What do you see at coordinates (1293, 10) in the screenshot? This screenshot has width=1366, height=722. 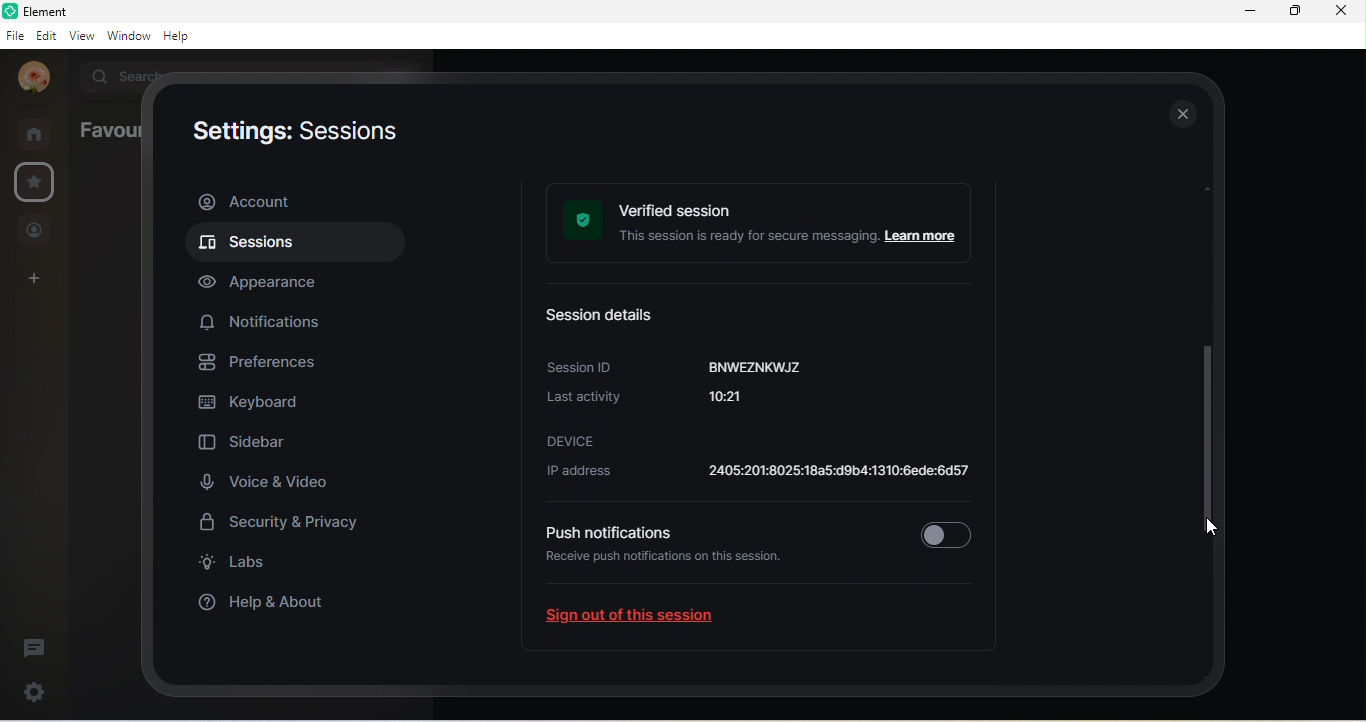 I see `maximize` at bounding box center [1293, 10].